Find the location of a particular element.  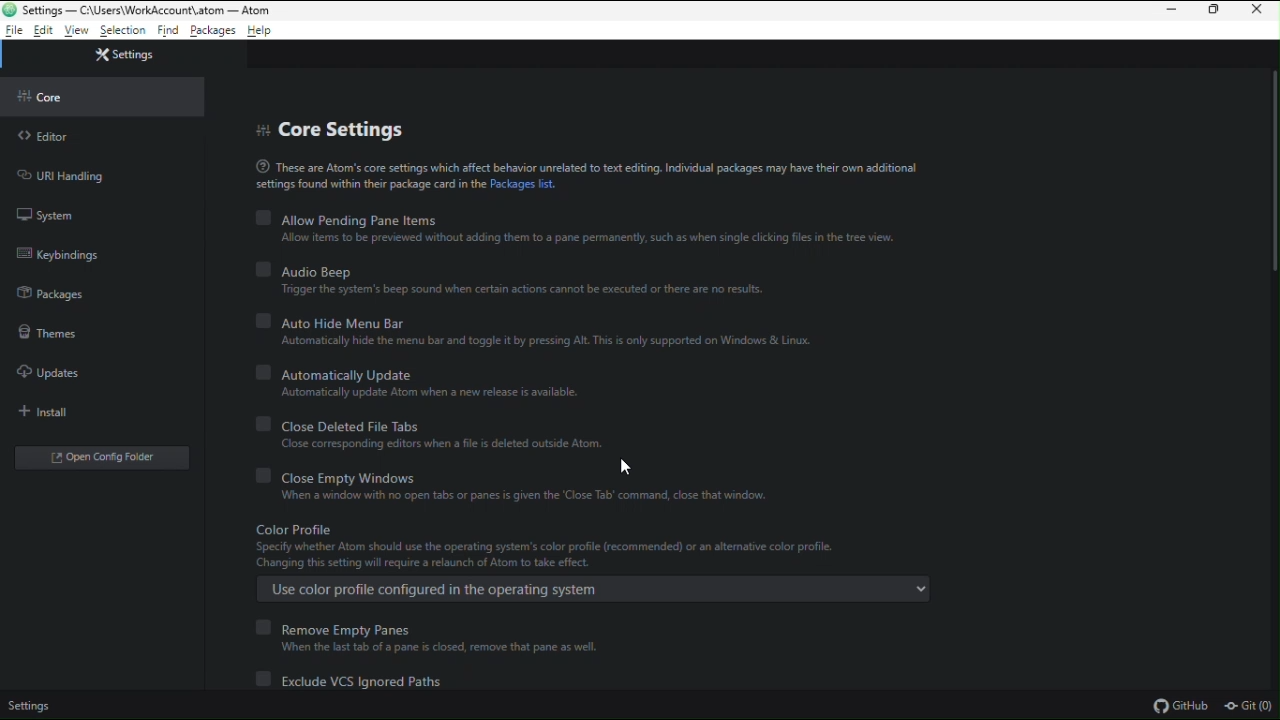

use color profile configured in the operating system is located at coordinates (589, 591).